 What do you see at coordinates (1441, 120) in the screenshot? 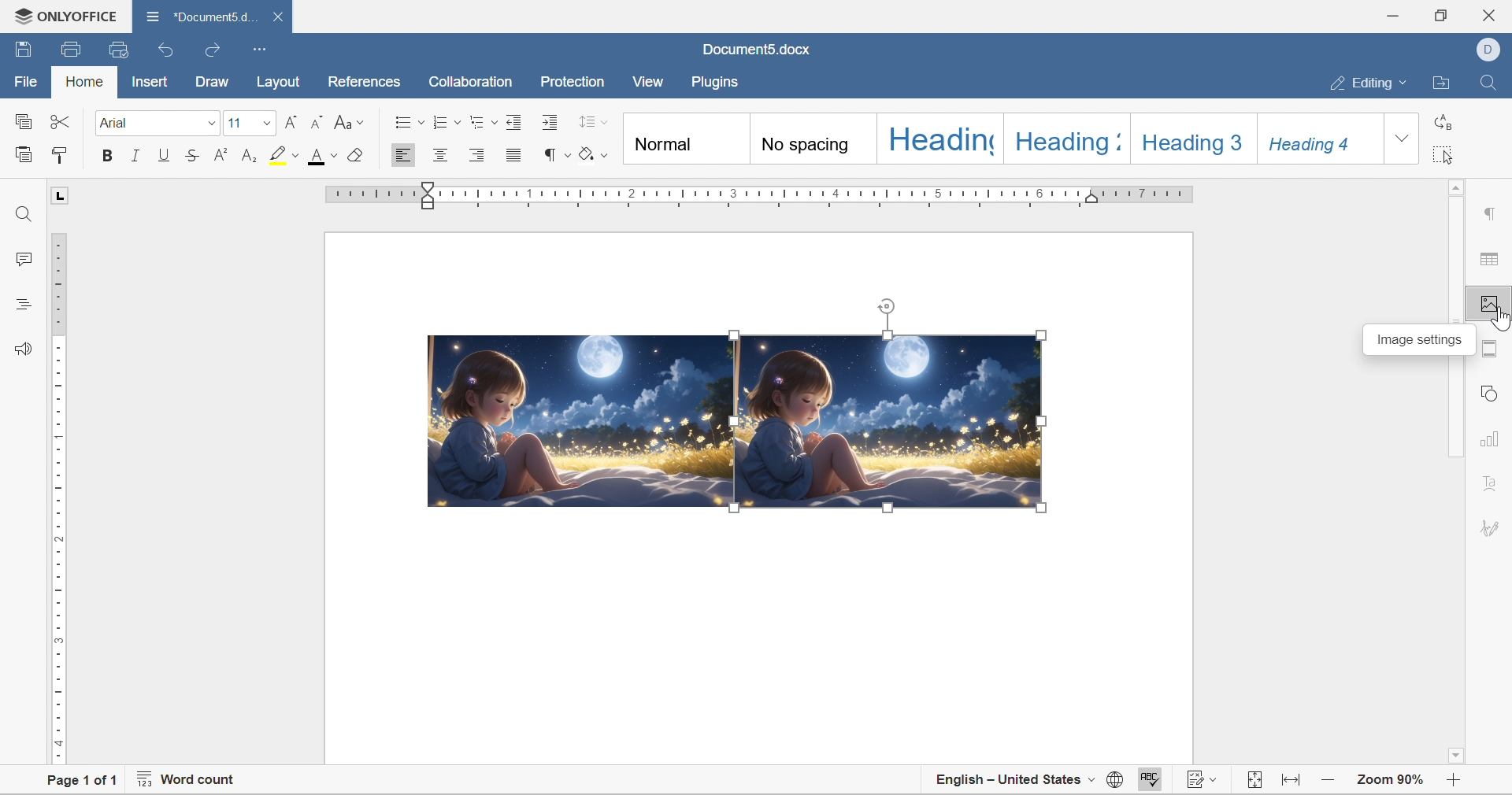
I see `replace` at bounding box center [1441, 120].